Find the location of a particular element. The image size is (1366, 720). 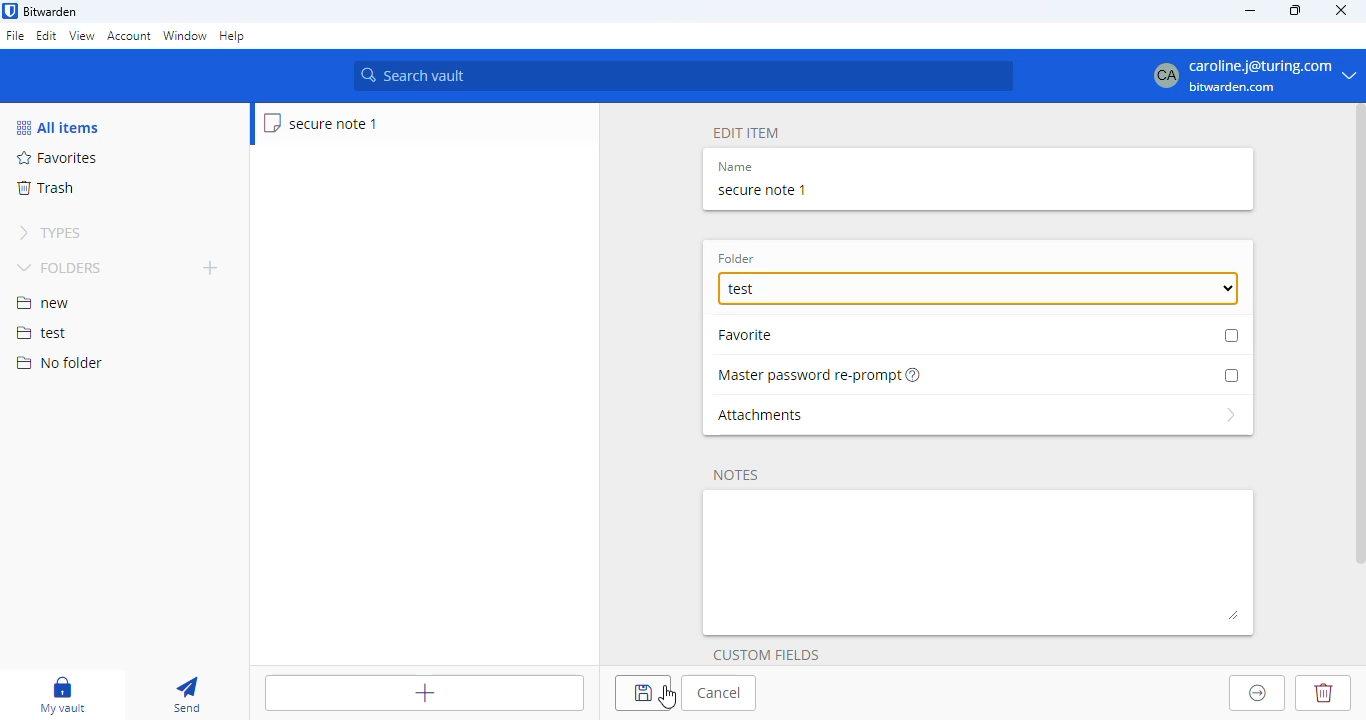

delete is located at coordinates (1322, 693).